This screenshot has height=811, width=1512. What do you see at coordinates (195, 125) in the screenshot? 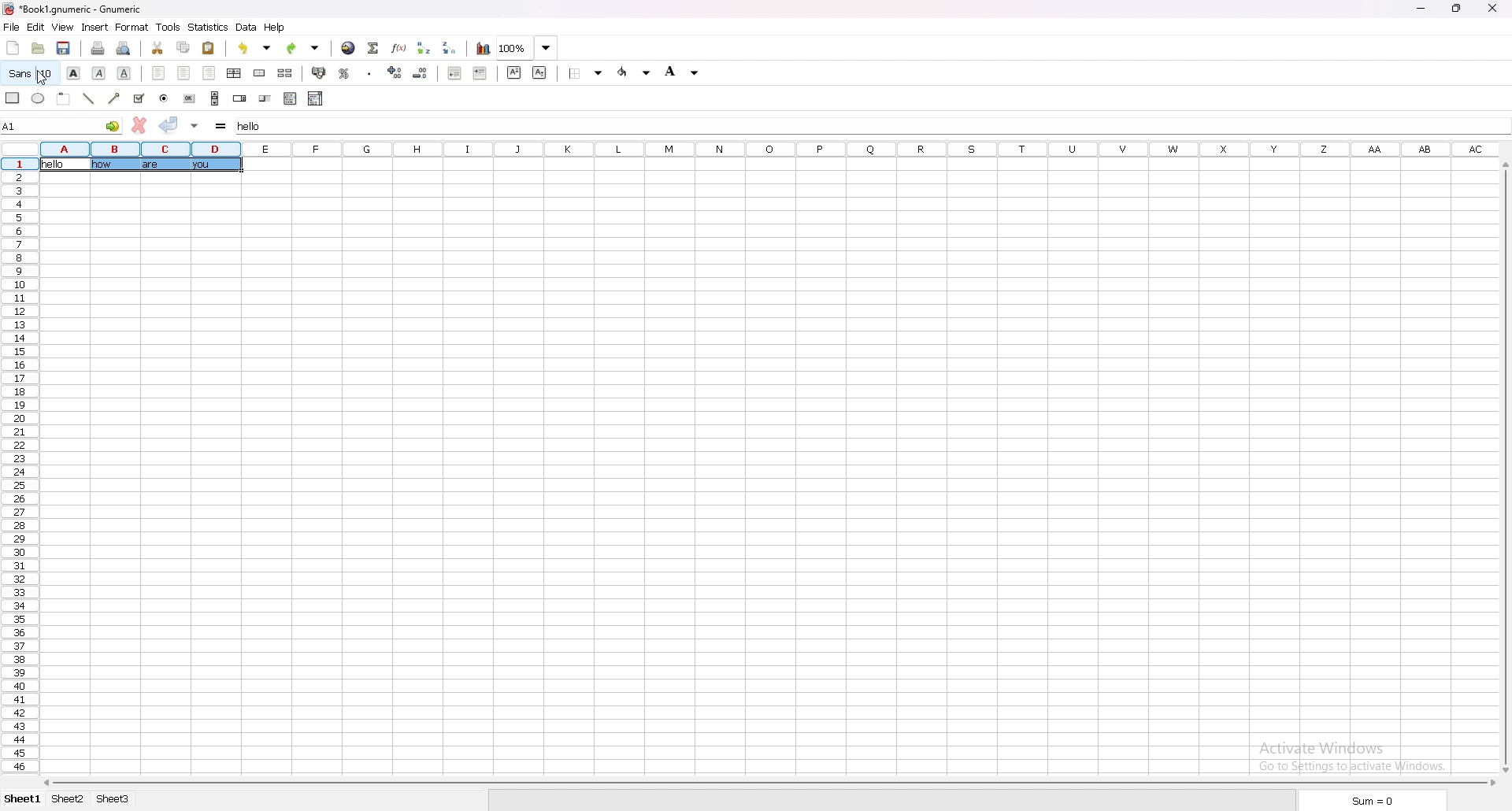
I see `accept changes in all cells` at bounding box center [195, 125].